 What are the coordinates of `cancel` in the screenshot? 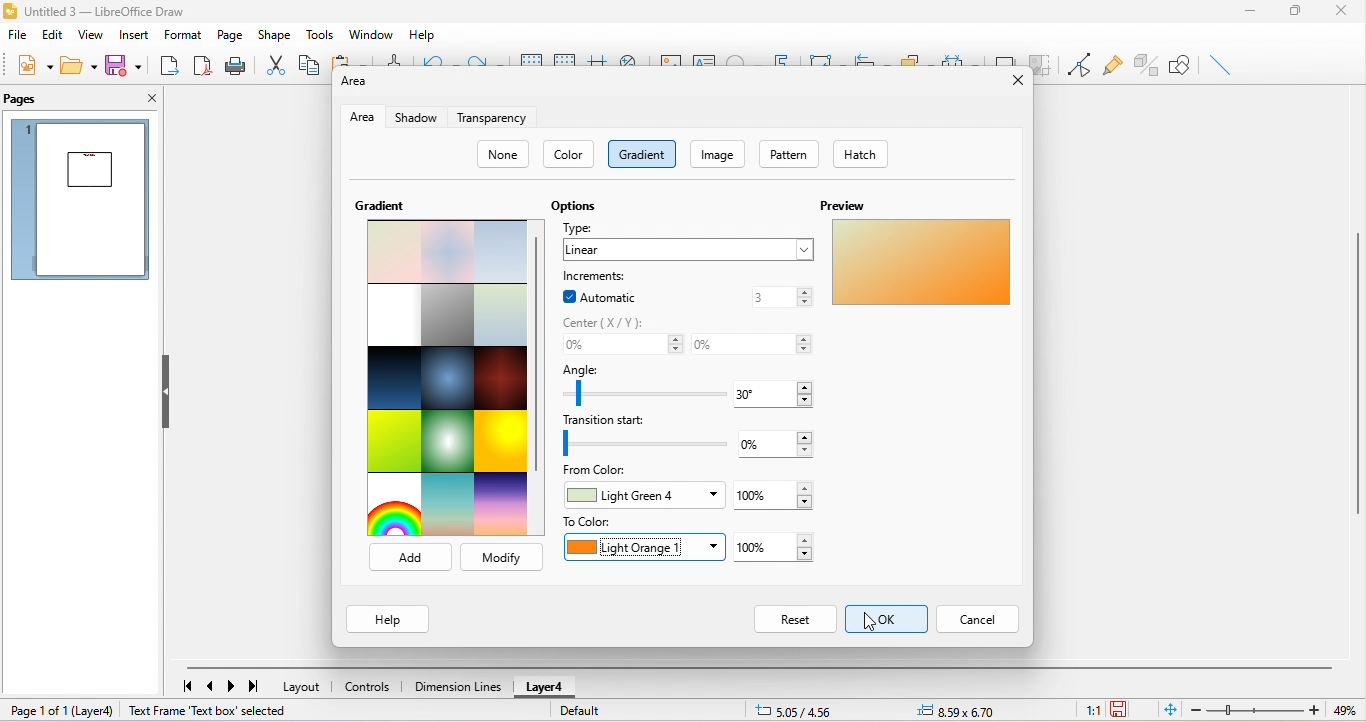 It's located at (977, 620).